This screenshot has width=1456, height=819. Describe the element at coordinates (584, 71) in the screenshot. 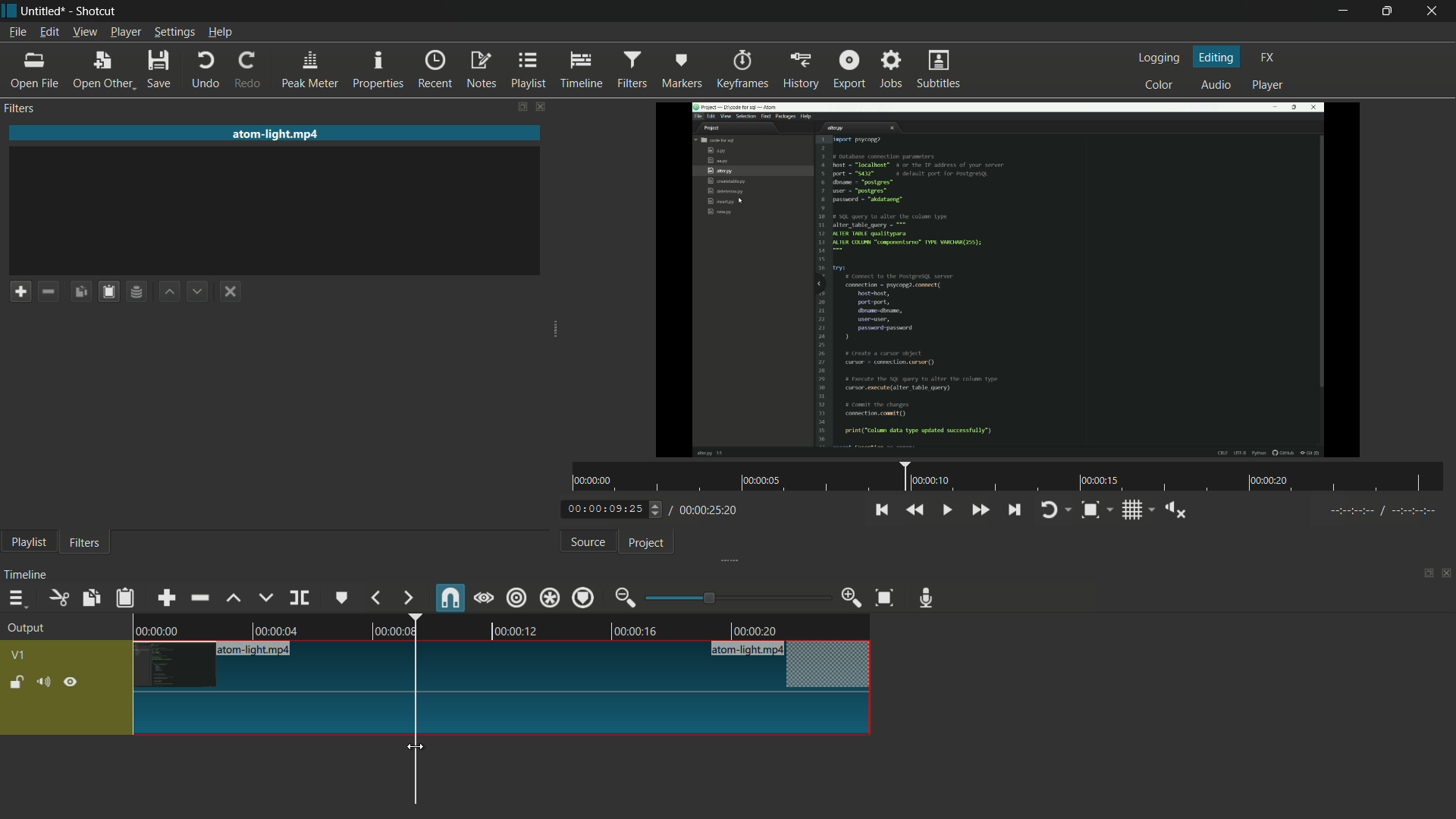

I see `timeline` at that location.